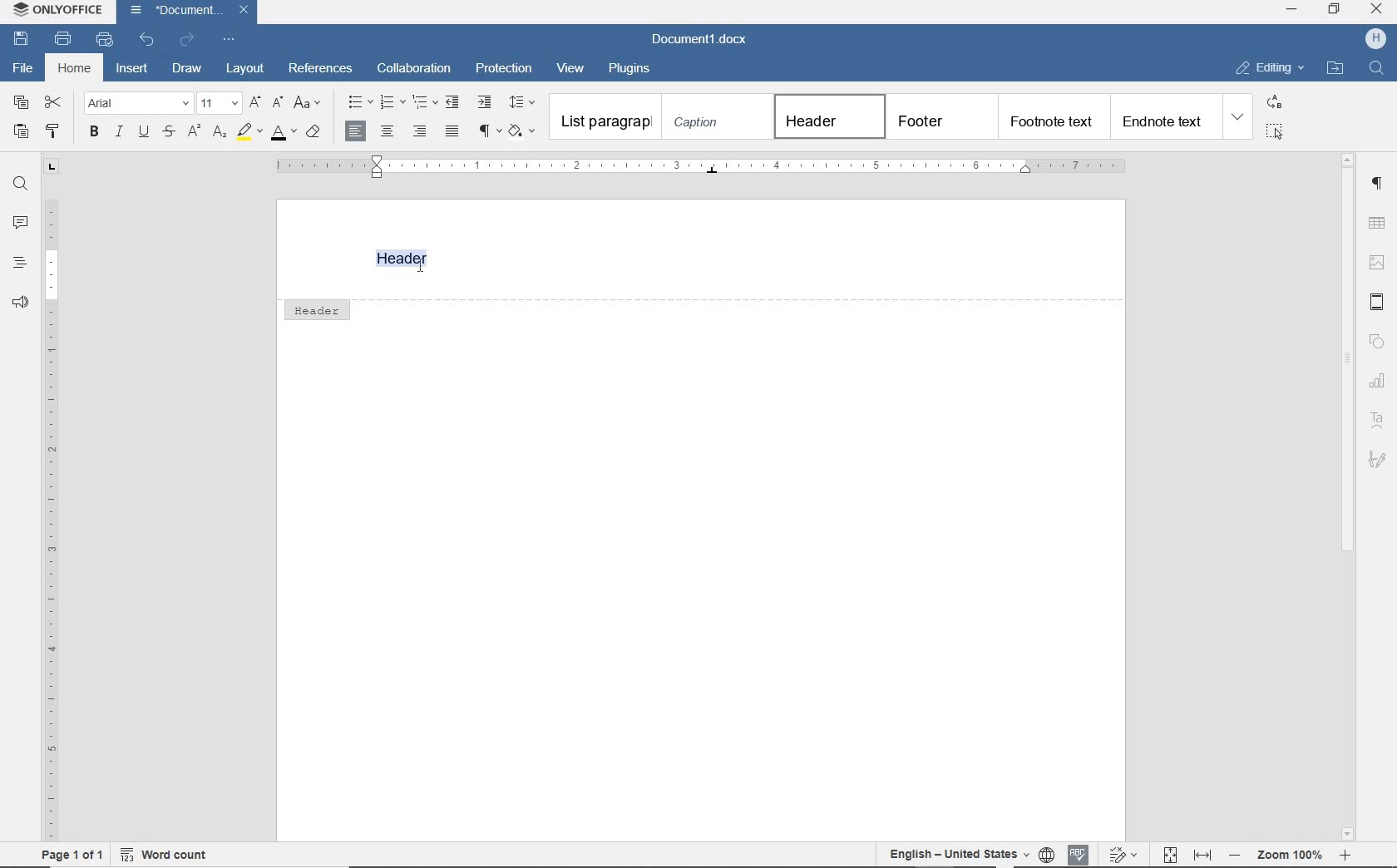 The height and width of the screenshot is (868, 1397). What do you see at coordinates (1335, 9) in the screenshot?
I see `RESTORE DOWN` at bounding box center [1335, 9].